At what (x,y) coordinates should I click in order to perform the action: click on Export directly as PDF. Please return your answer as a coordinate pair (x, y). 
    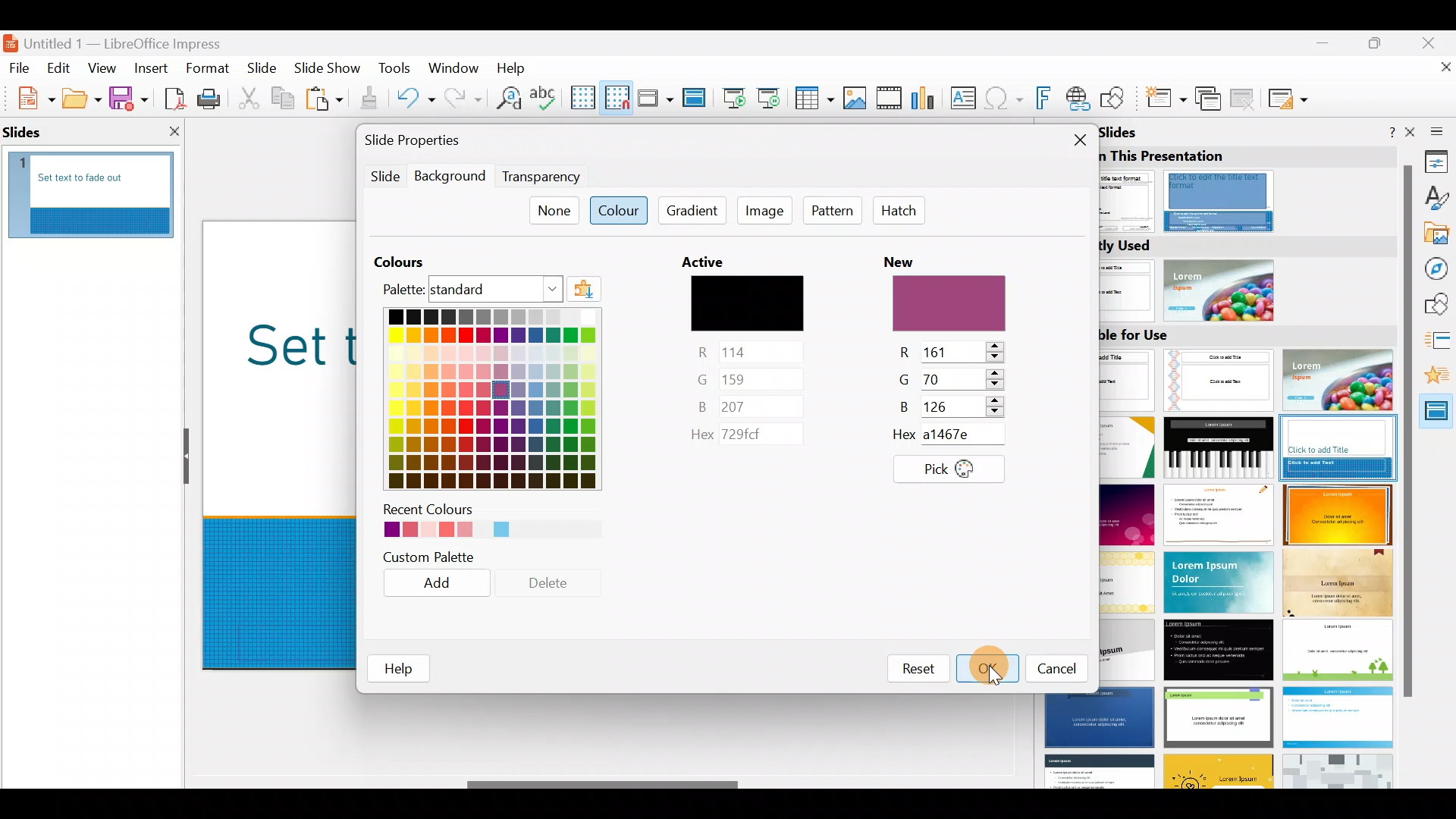
    Looking at the image, I should click on (171, 97).